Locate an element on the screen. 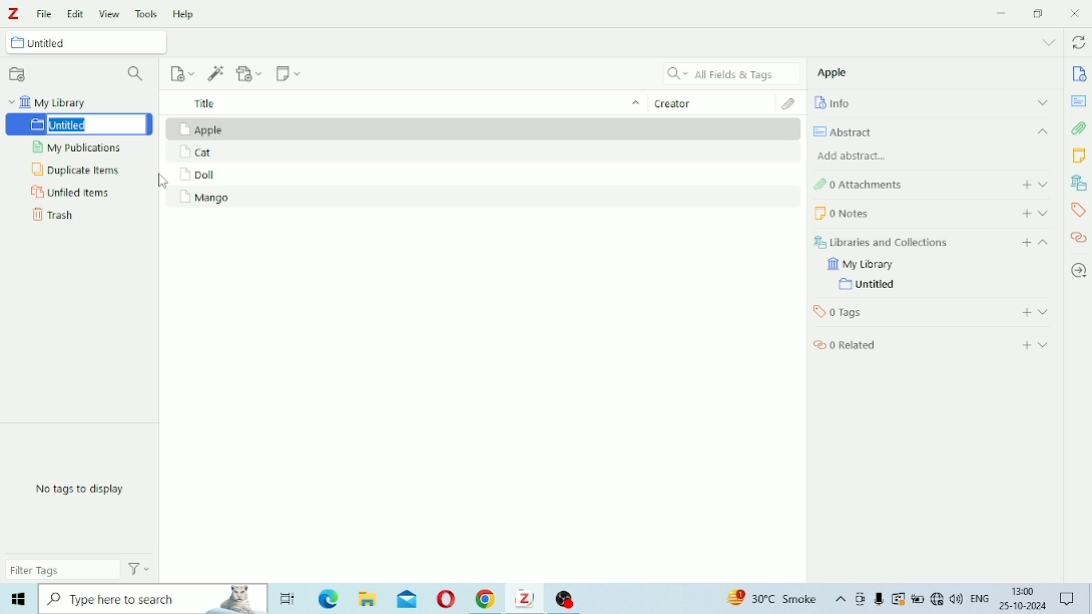 The image size is (1092, 614). Untitled is located at coordinates (80, 125).